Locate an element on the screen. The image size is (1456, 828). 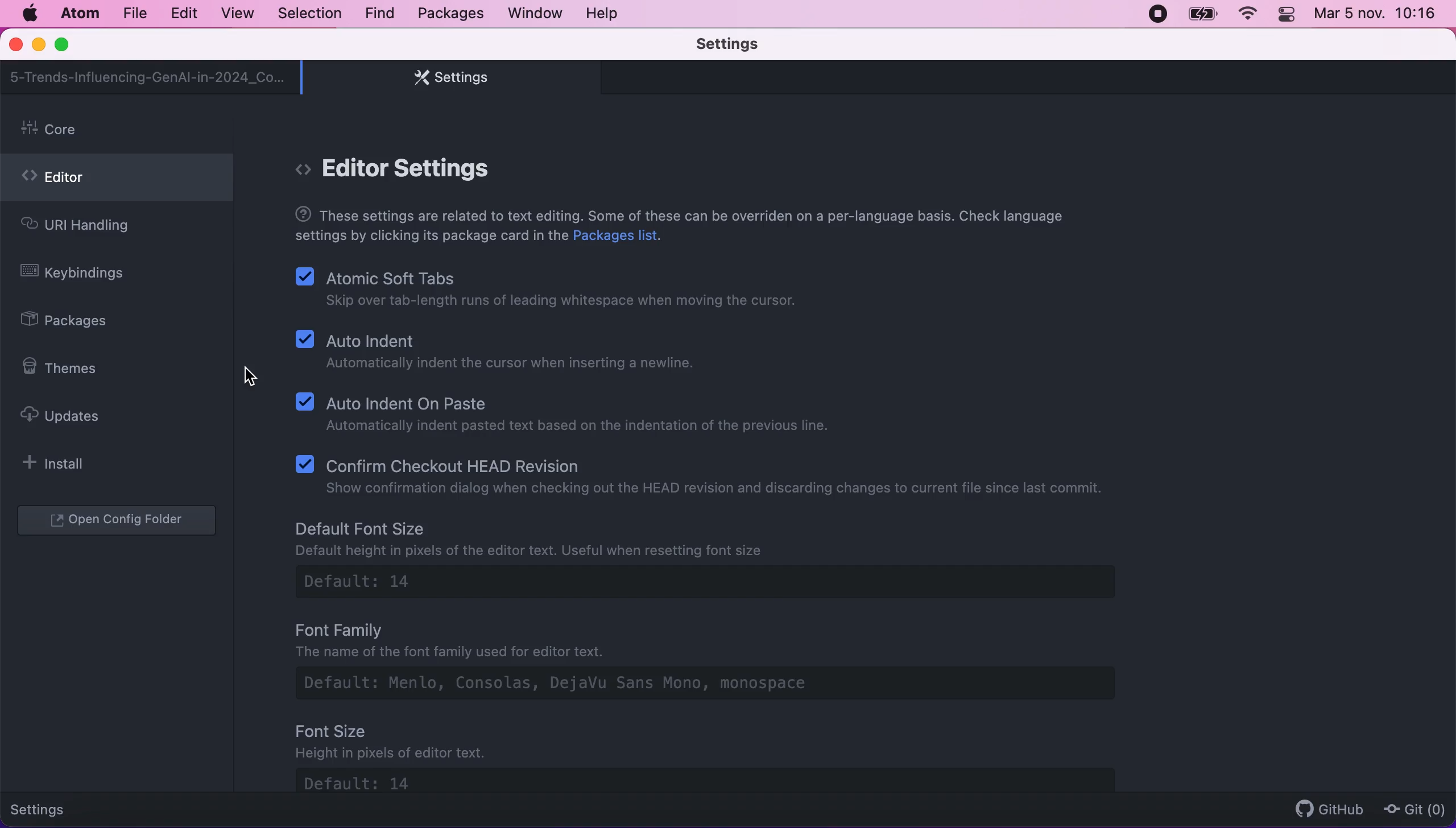
default font size is located at coordinates (717, 561).